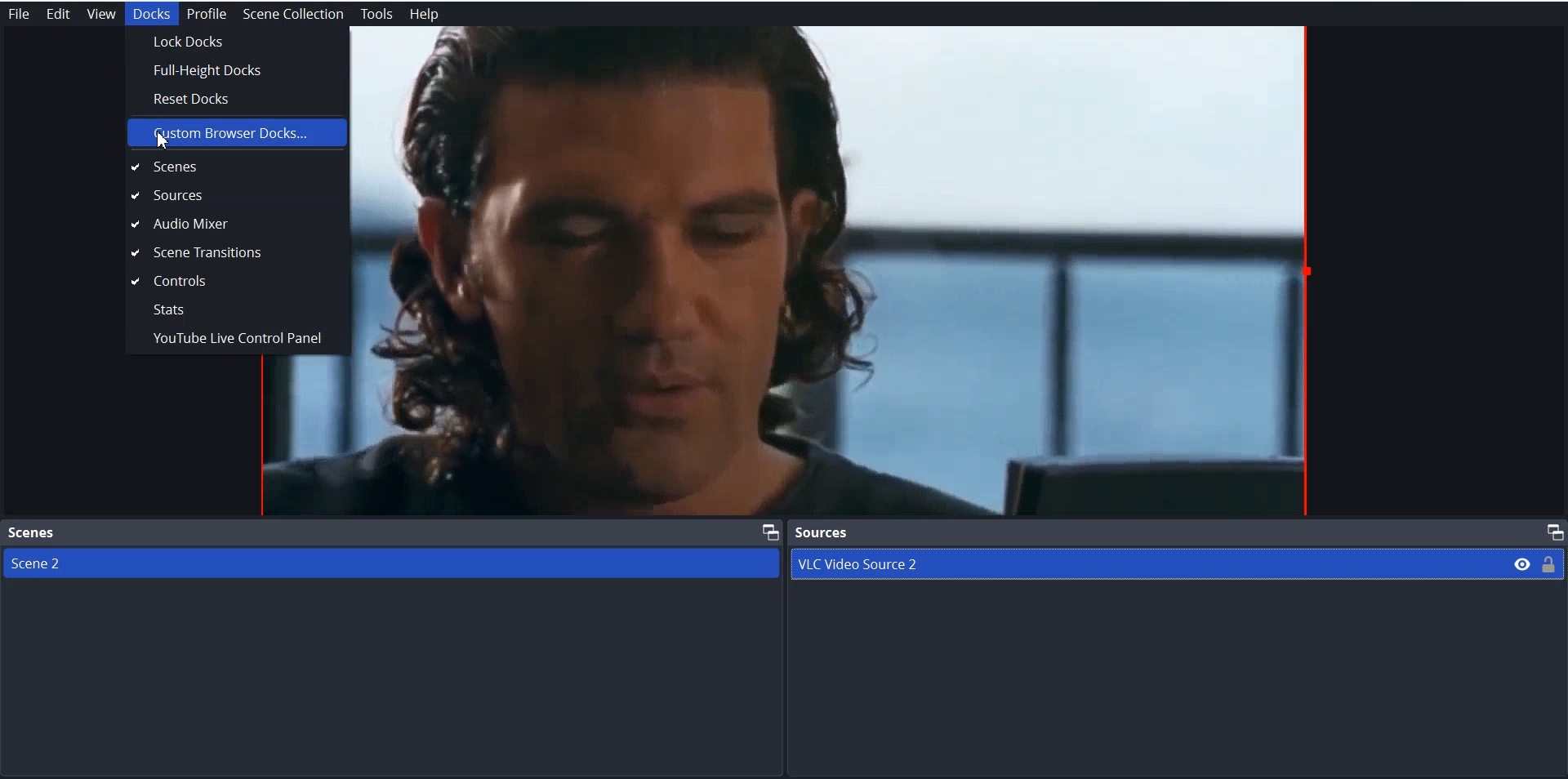  Describe the element at coordinates (879, 564) in the screenshot. I see `VLC Video Source 2` at that location.